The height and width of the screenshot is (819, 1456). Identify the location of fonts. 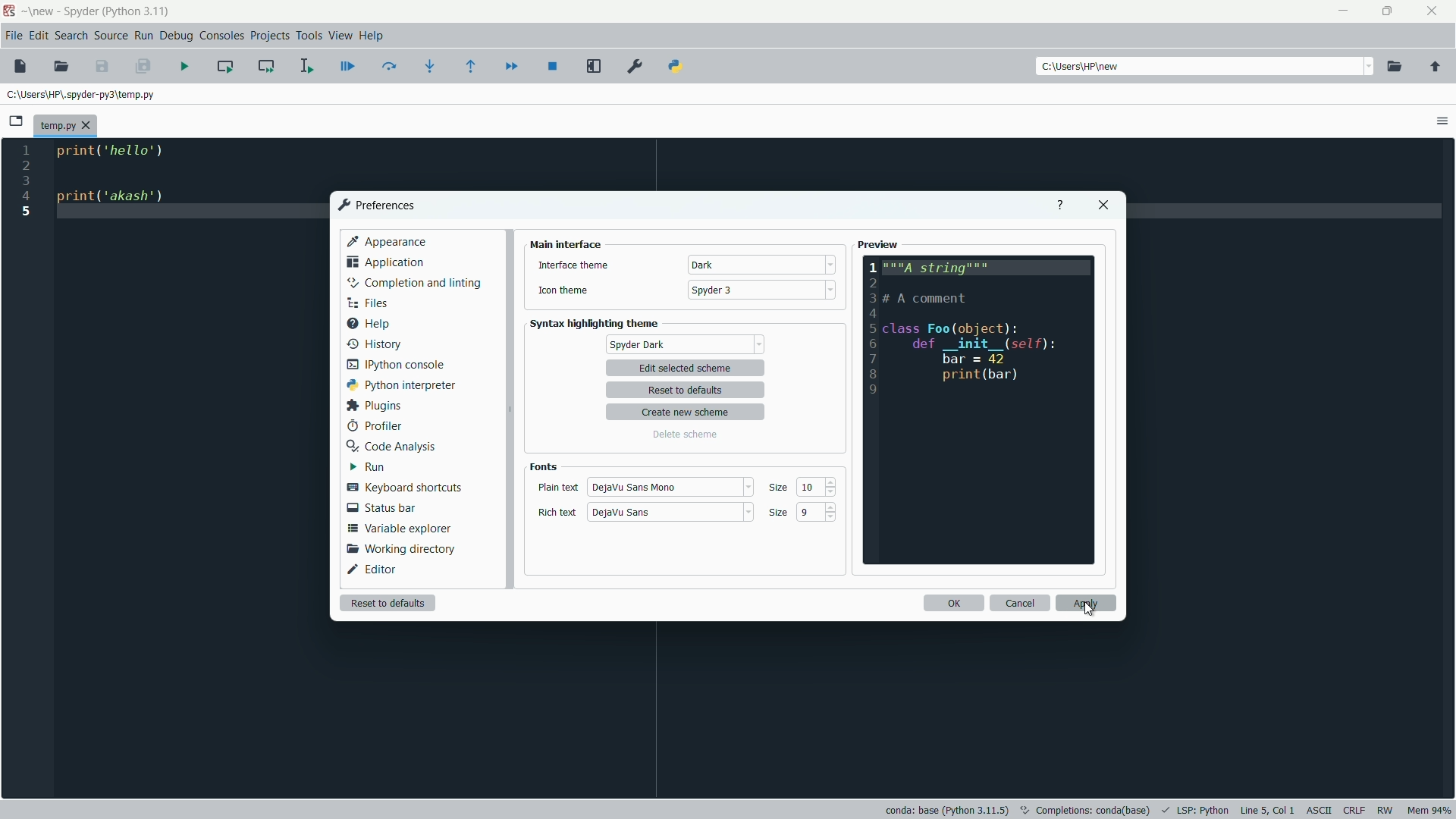
(543, 466).